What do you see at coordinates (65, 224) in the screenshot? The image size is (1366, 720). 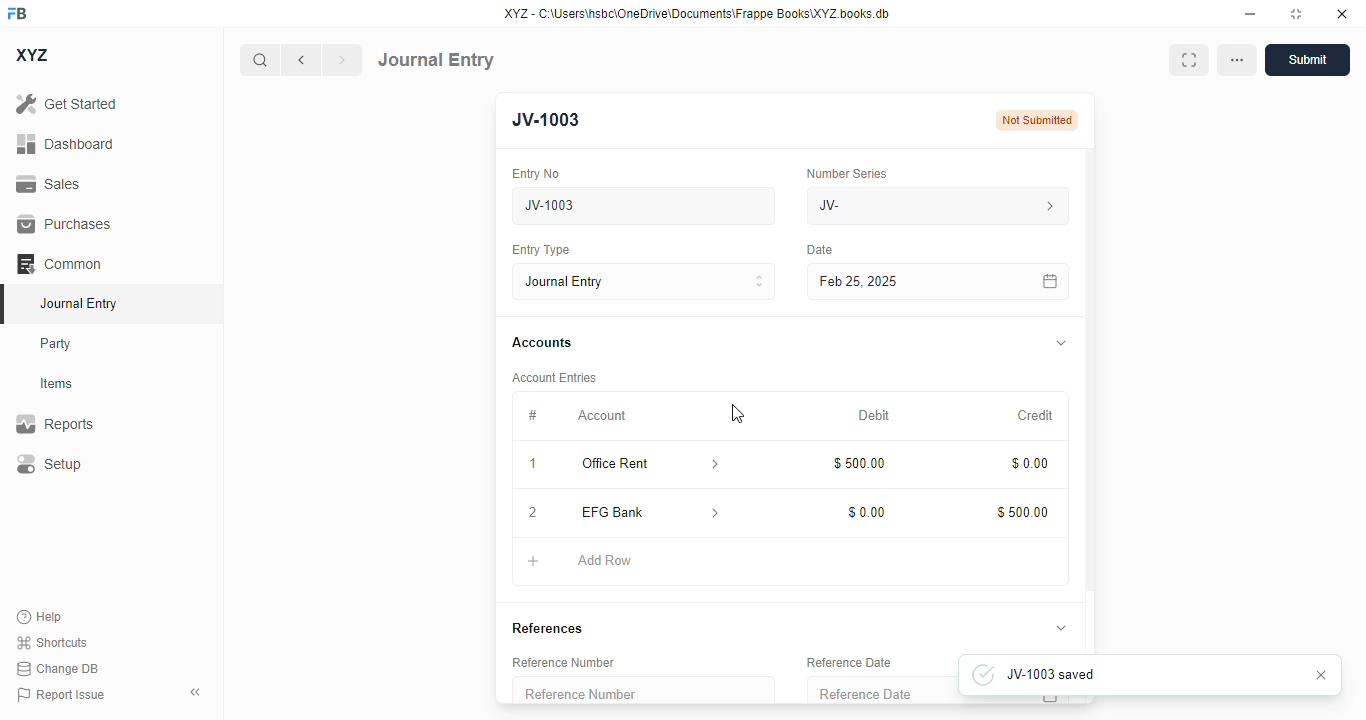 I see `purchases` at bounding box center [65, 224].